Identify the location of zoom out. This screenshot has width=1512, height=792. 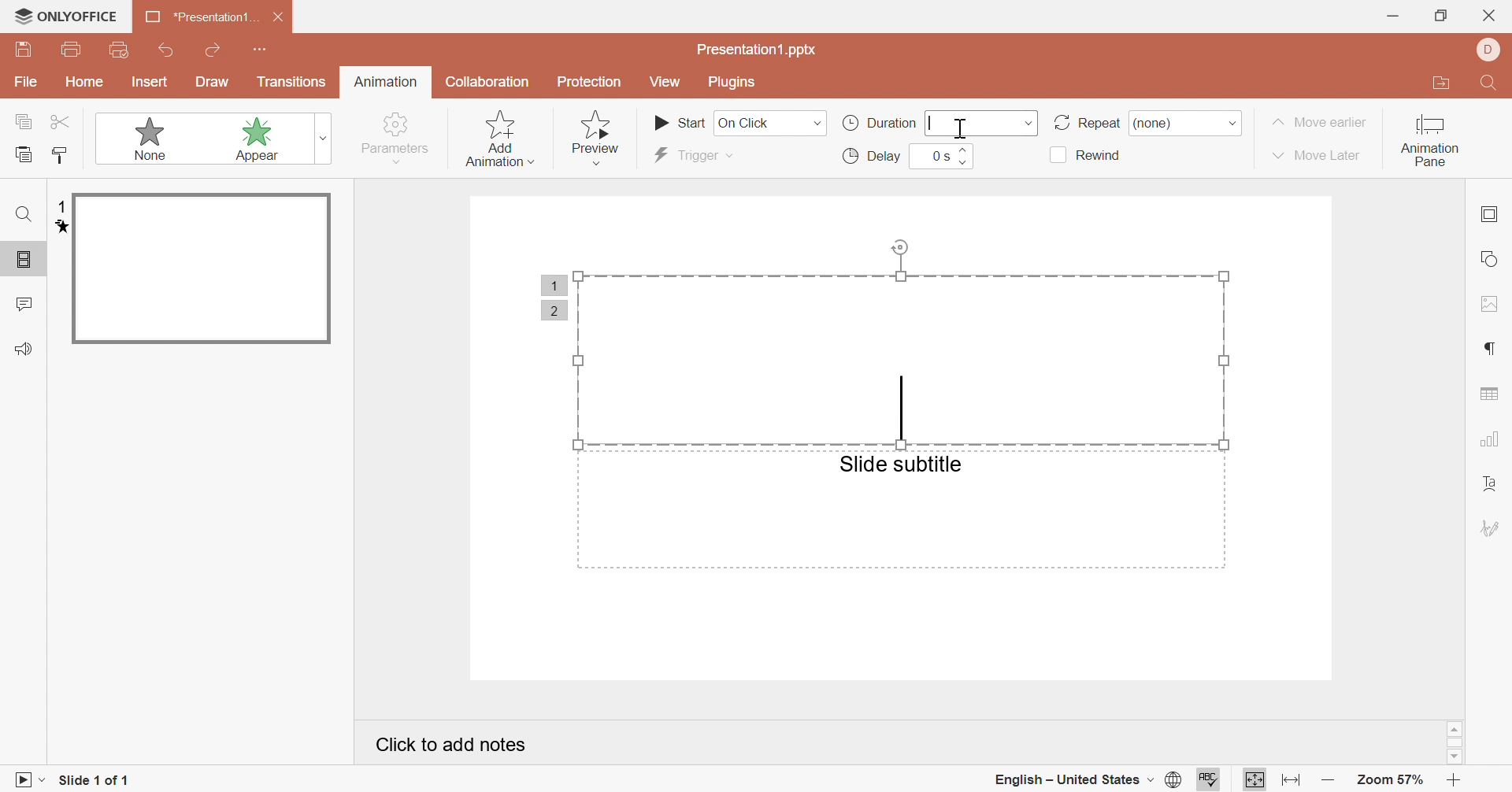
(1329, 781).